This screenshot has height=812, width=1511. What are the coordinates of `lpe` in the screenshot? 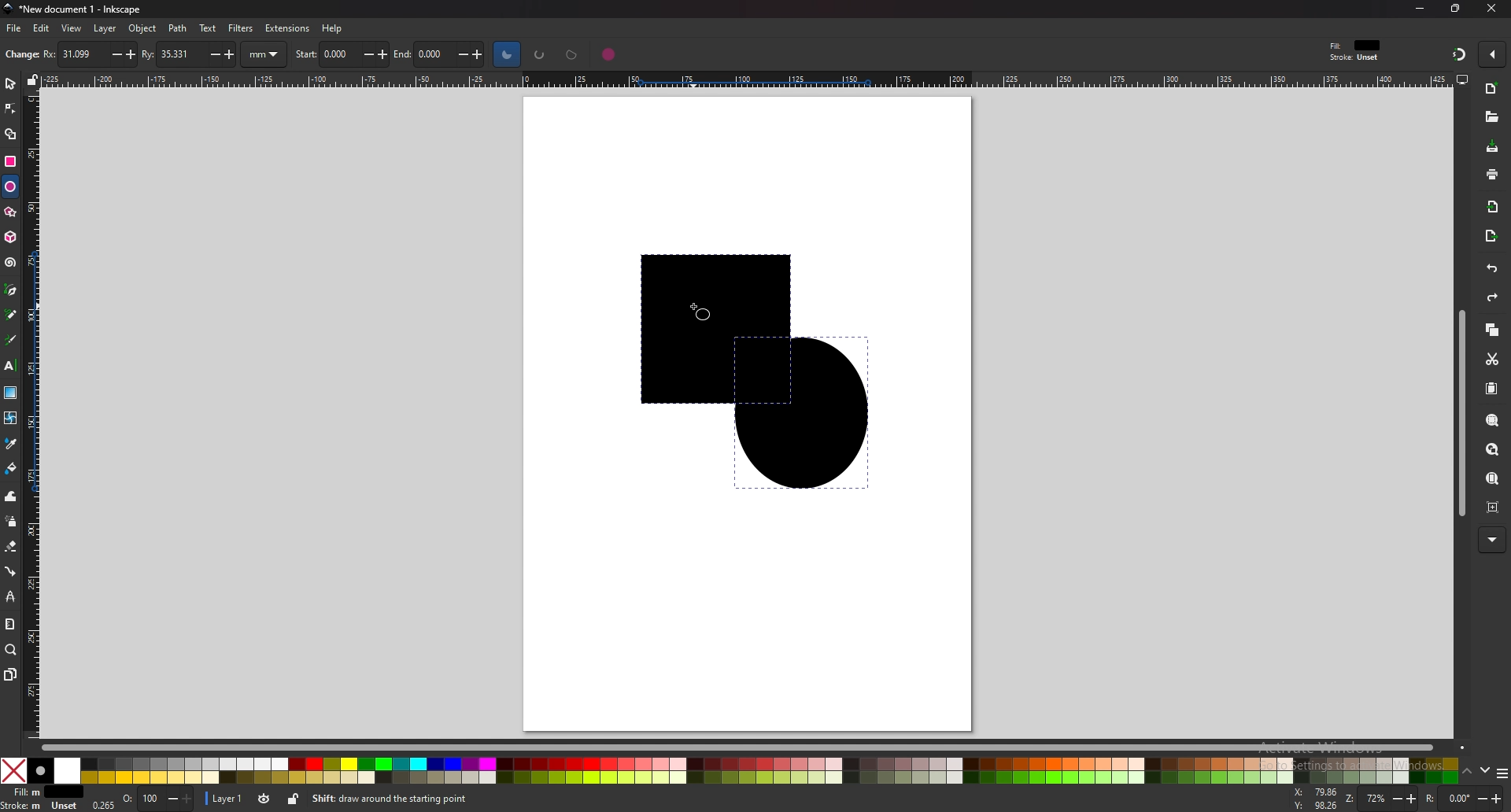 It's located at (11, 596).